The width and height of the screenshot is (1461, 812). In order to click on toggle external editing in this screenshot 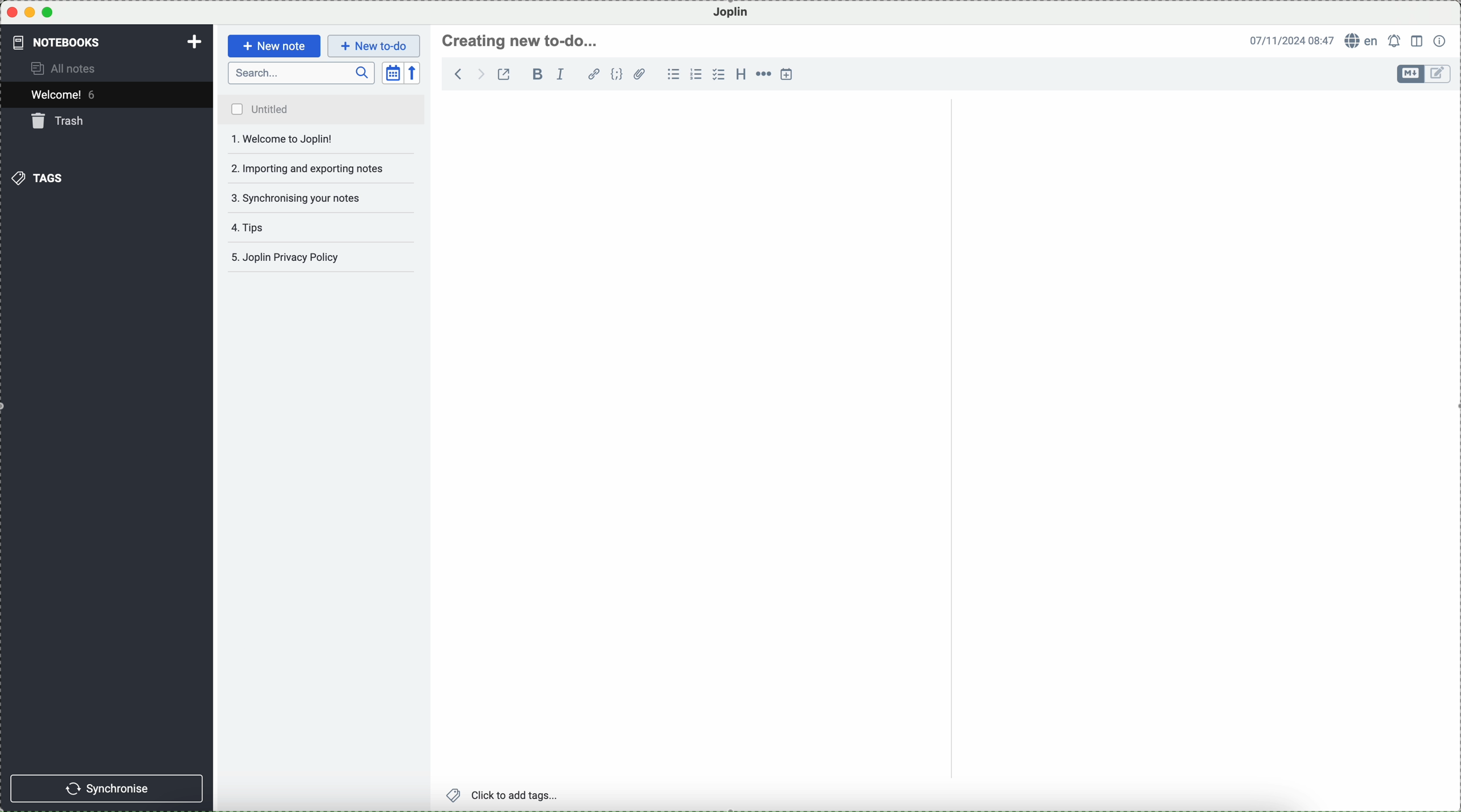, I will do `click(504, 74)`.